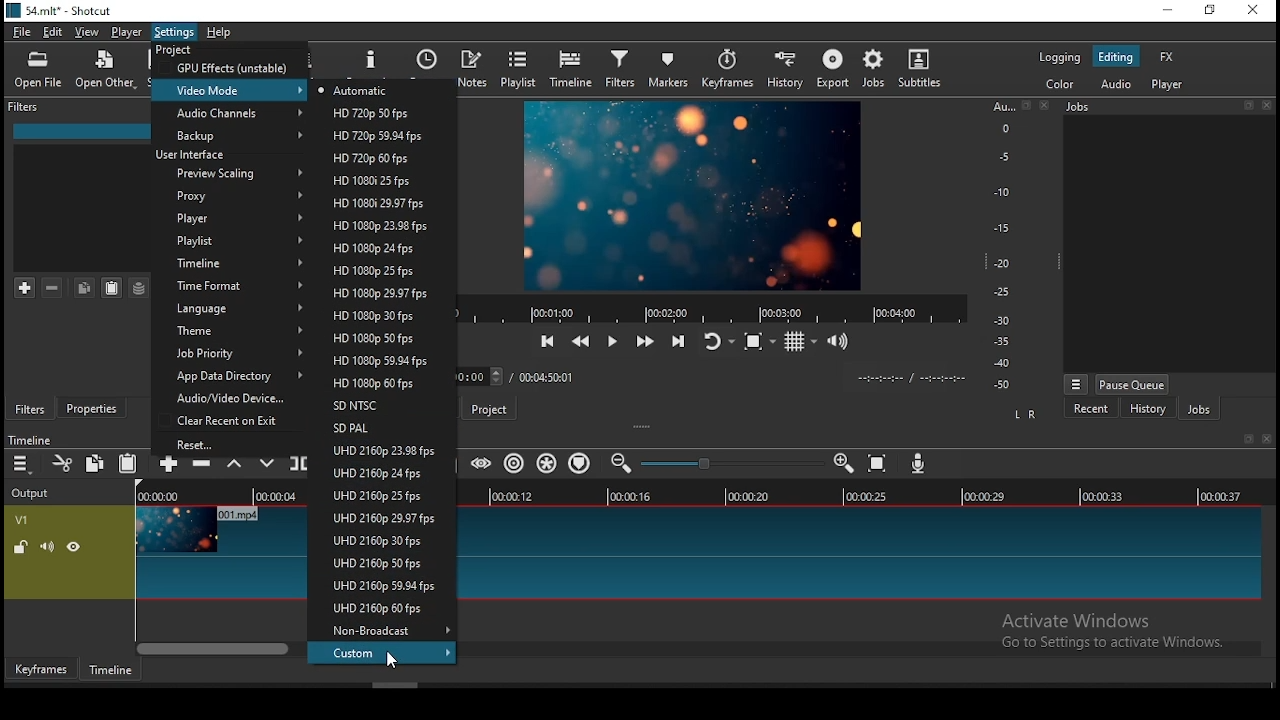 The width and height of the screenshot is (1280, 720). I want to click on restore, so click(1248, 106).